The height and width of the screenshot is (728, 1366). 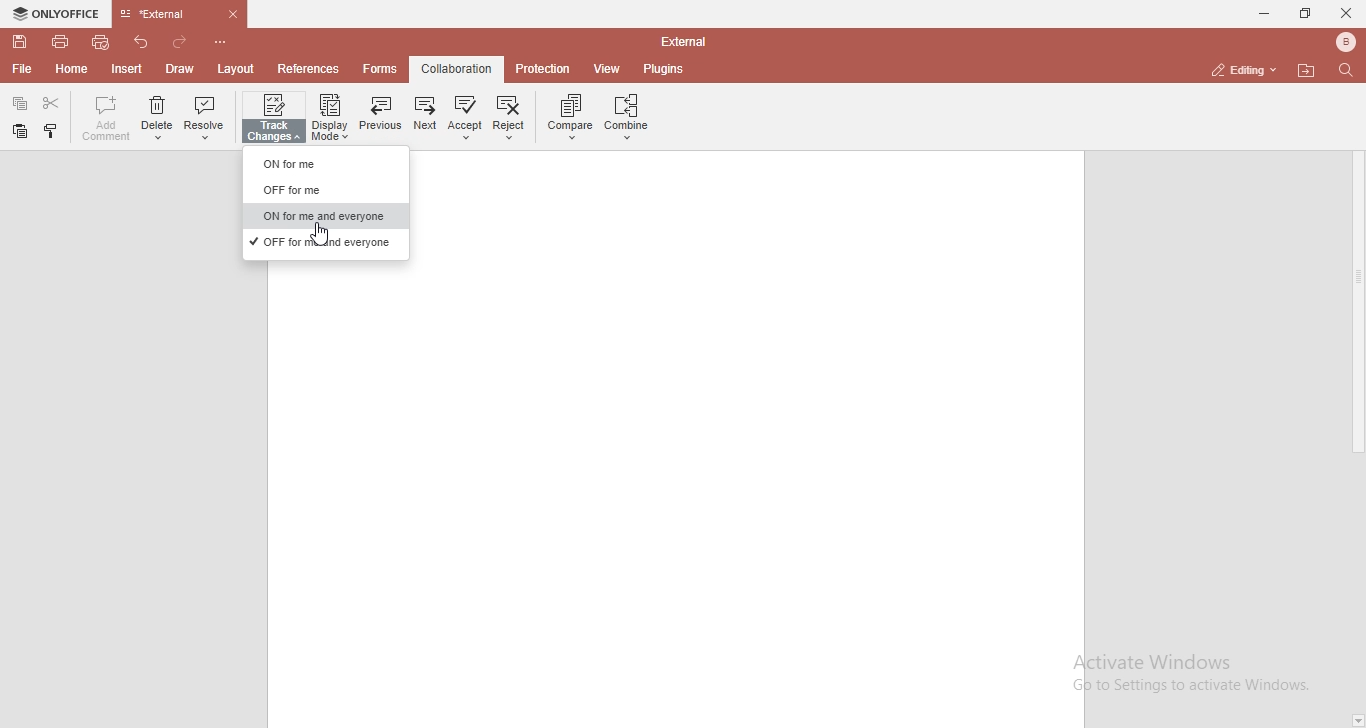 I want to click on add comment, so click(x=103, y=118).